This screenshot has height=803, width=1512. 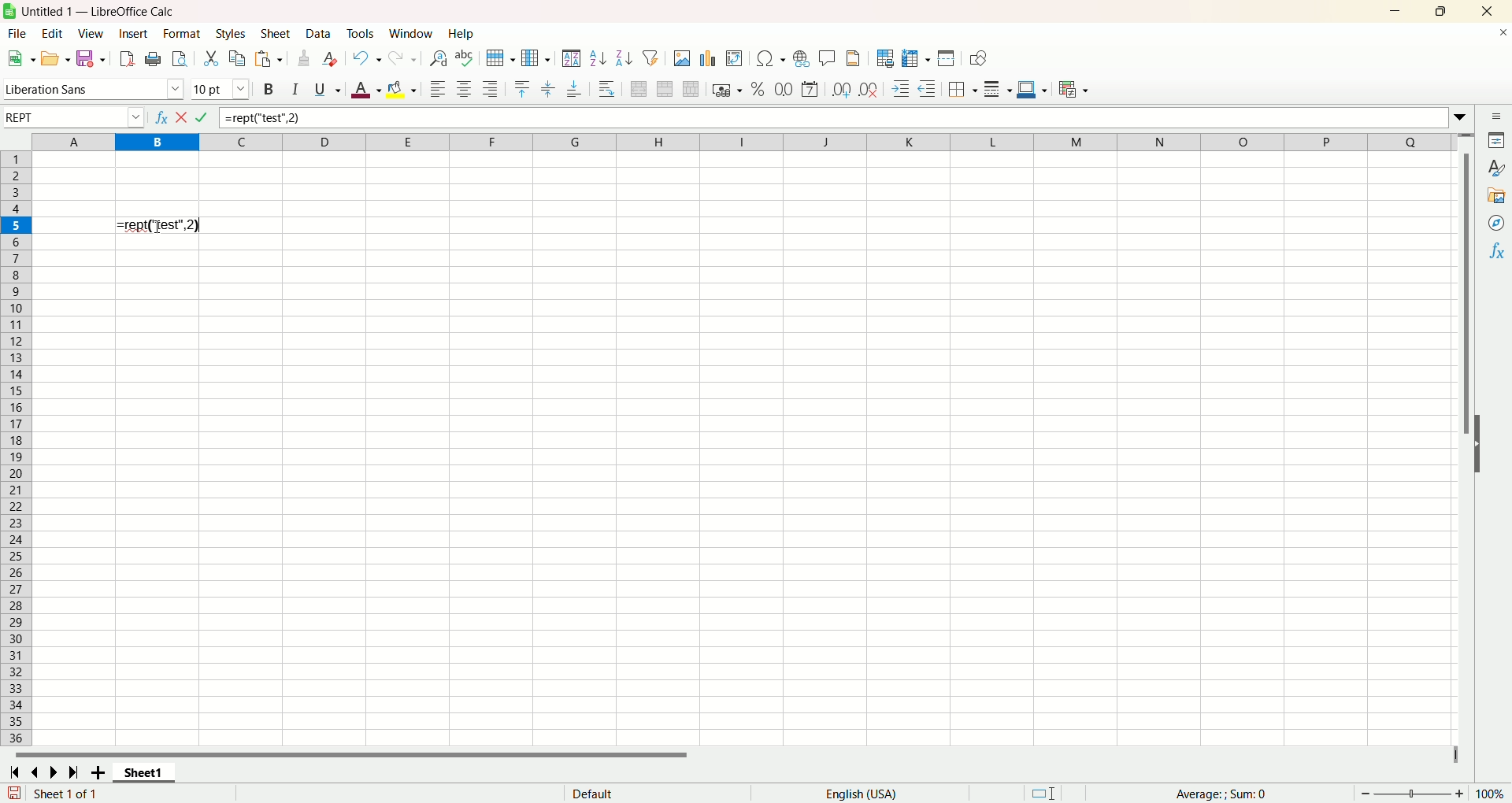 What do you see at coordinates (1228, 794) in the screenshot?
I see `average` at bounding box center [1228, 794].